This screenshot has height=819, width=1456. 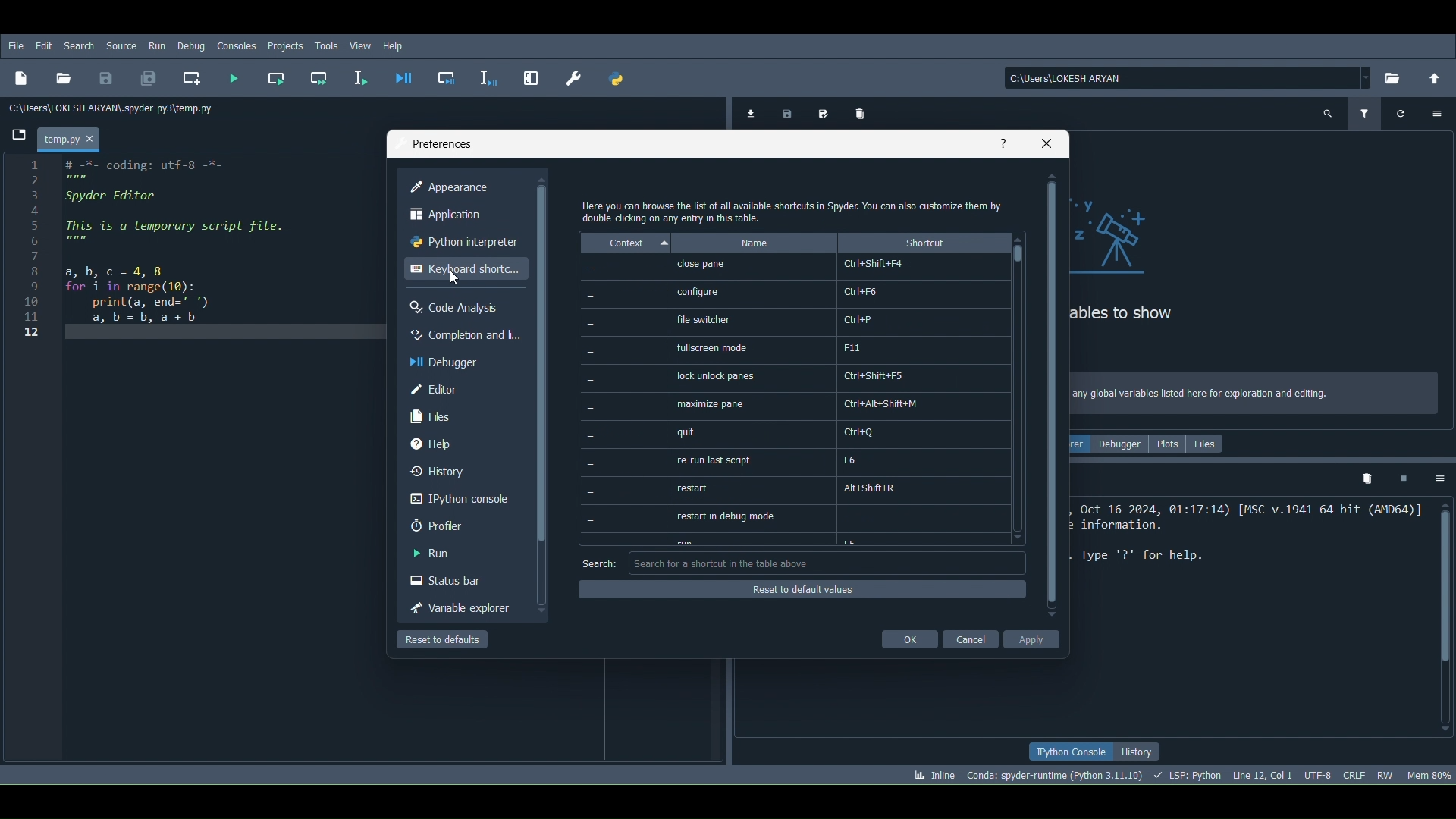 I want to click on Variable explorer, so click(x=457, y=605).